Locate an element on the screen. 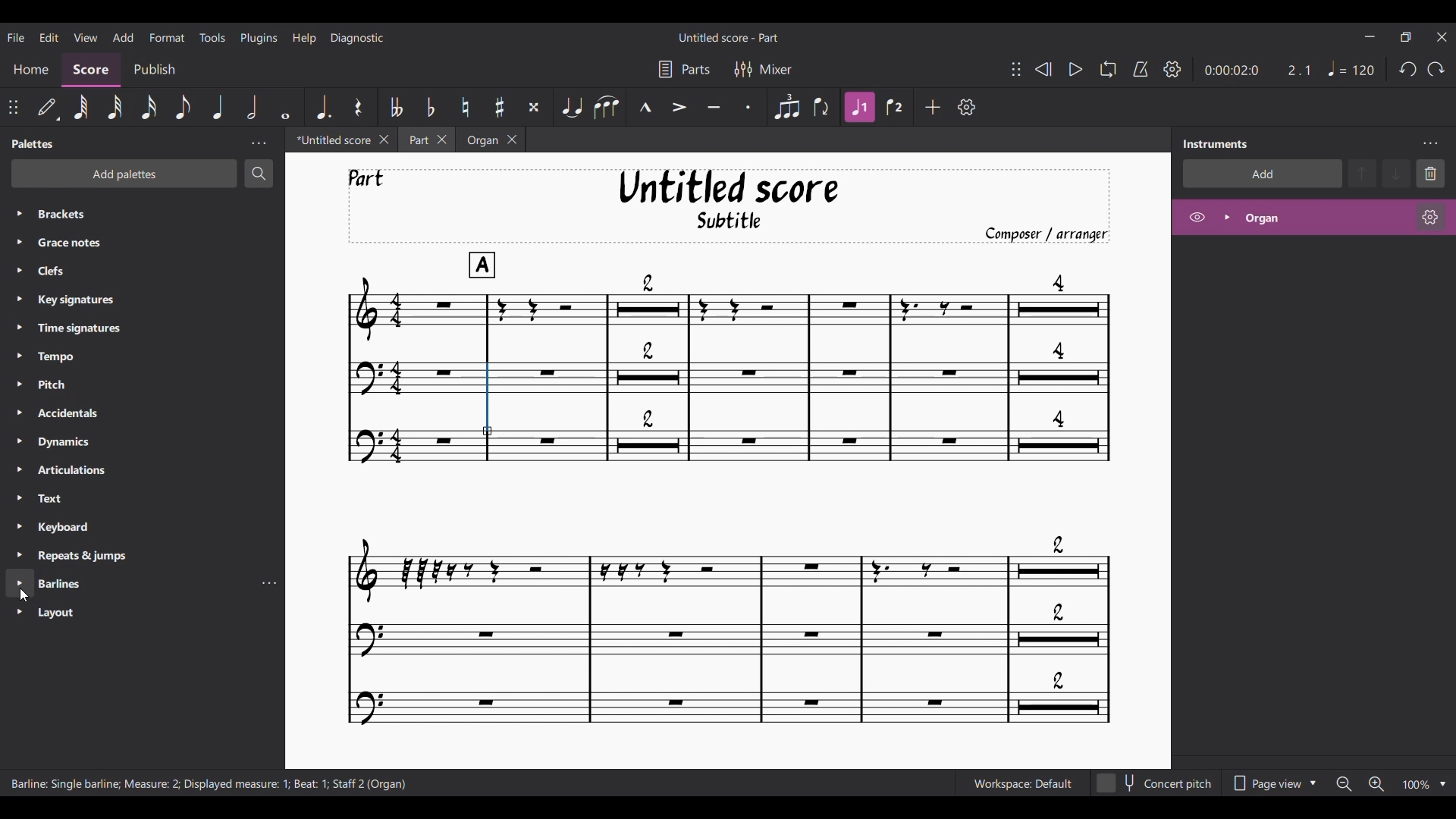  Augmentation dot is located at coordinates (323, 108).